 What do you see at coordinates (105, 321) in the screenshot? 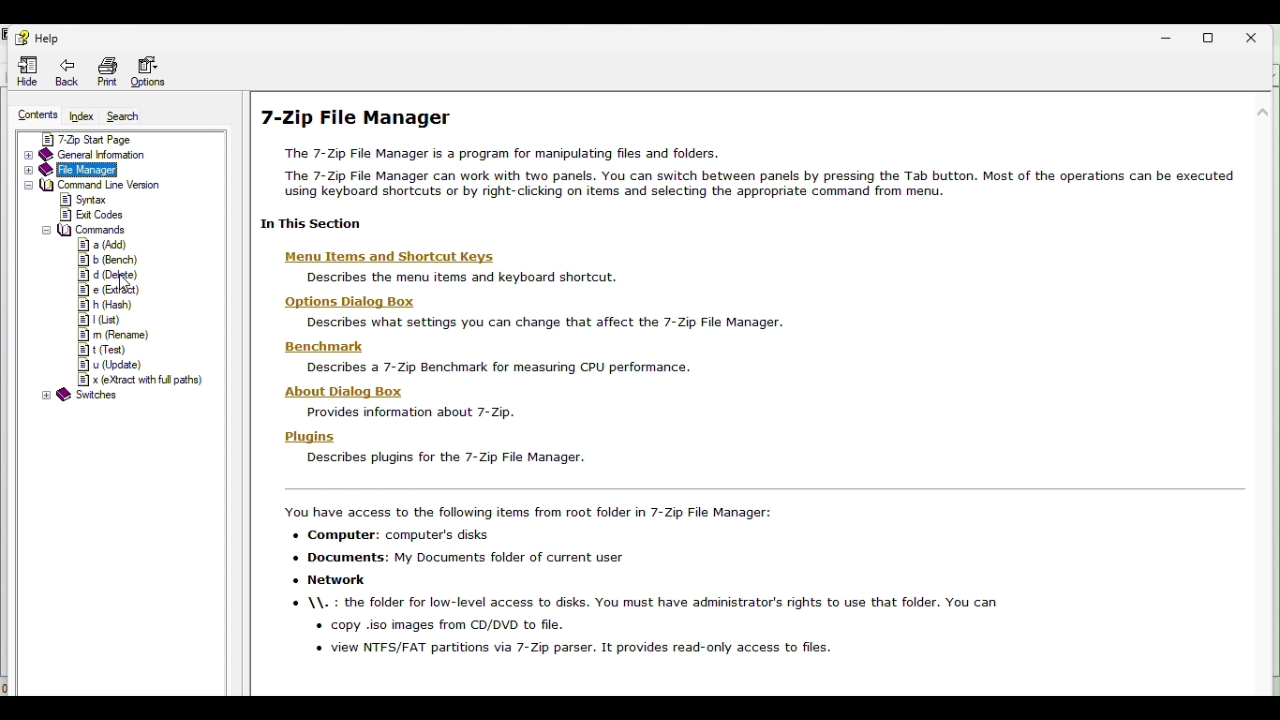
I see `l` at bounding box center [105, 321].